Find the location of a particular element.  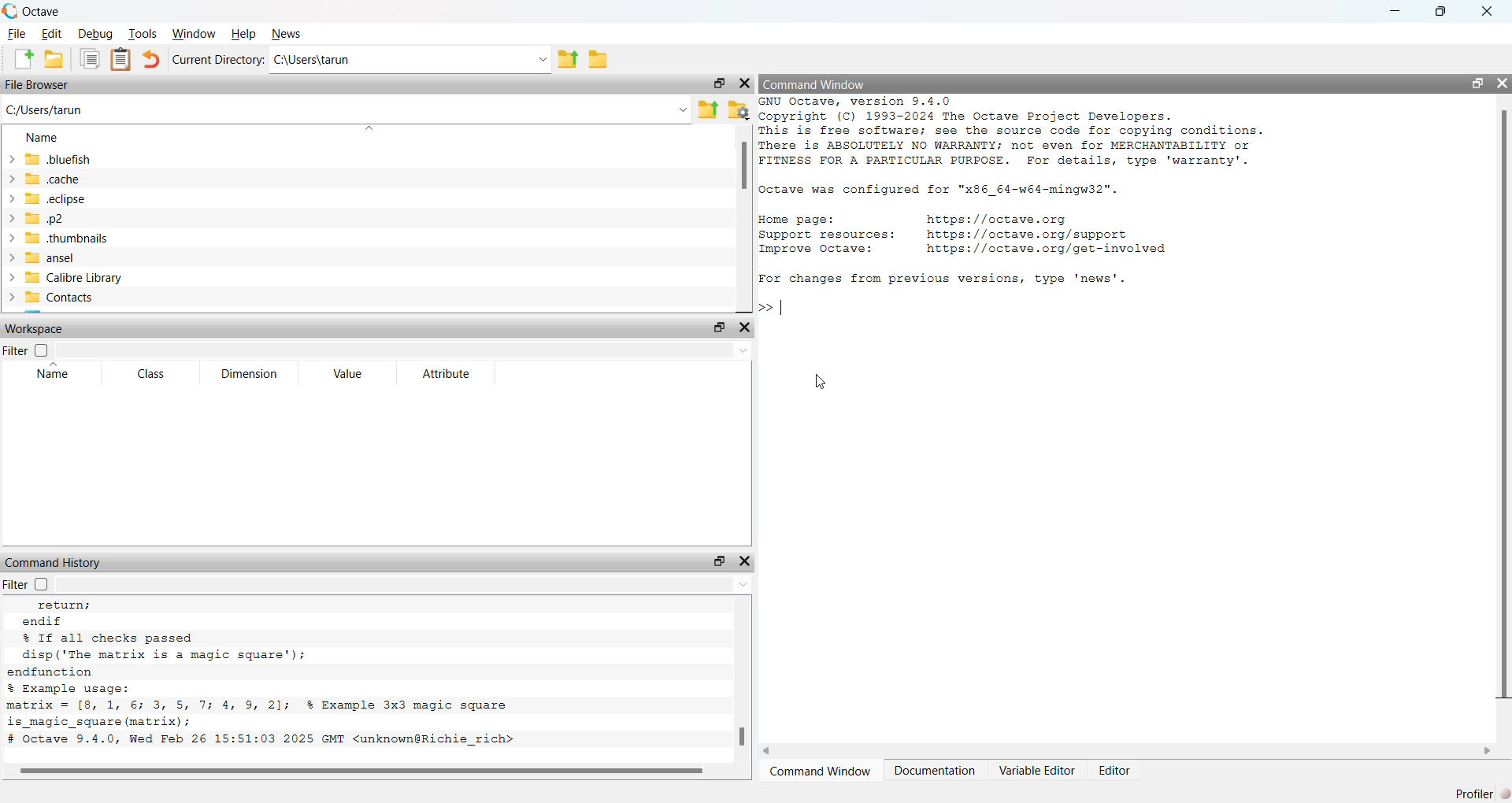

dropdown is located at coordinates (740, 584).